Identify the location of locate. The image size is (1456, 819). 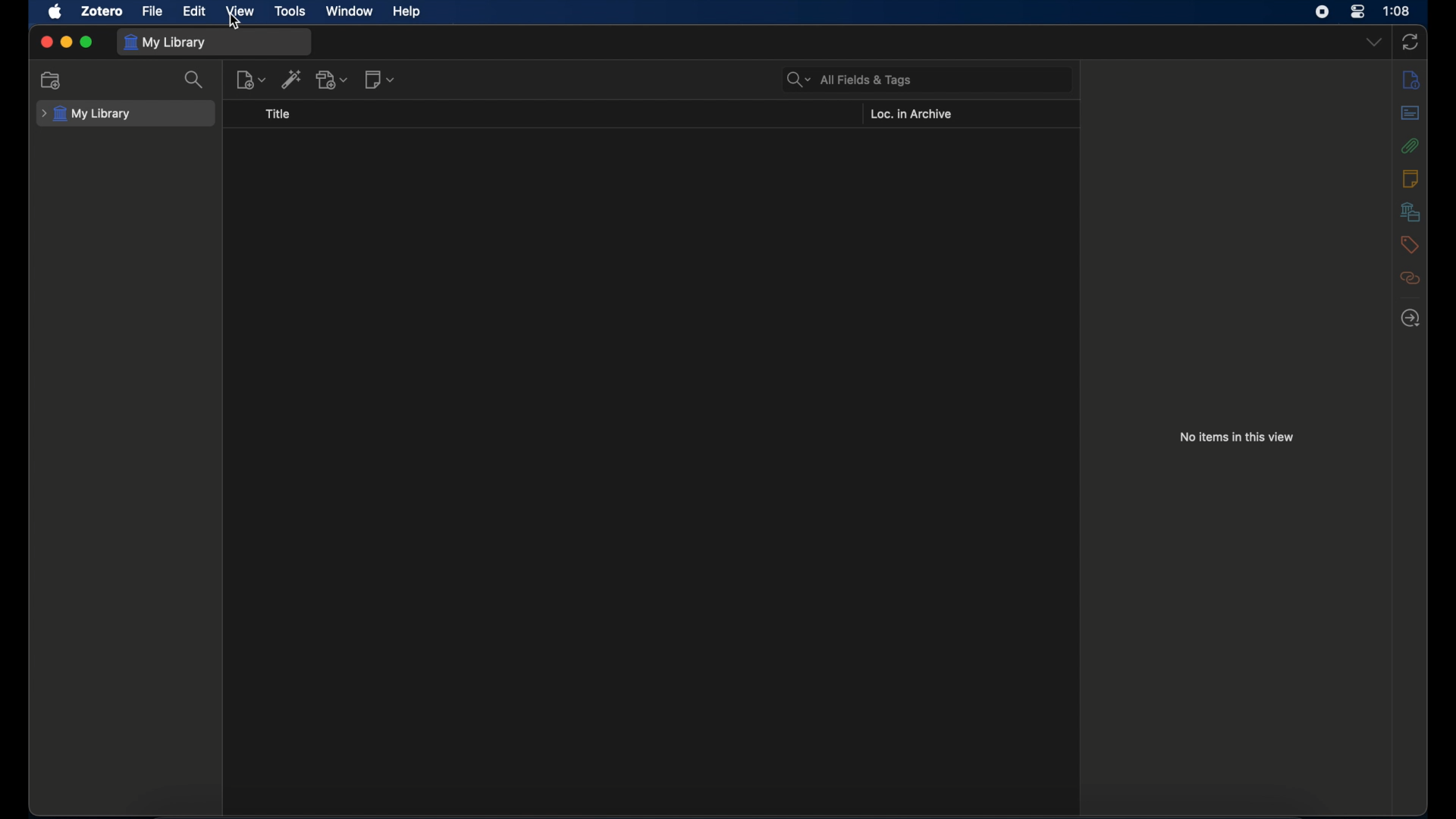
(1411, 318).